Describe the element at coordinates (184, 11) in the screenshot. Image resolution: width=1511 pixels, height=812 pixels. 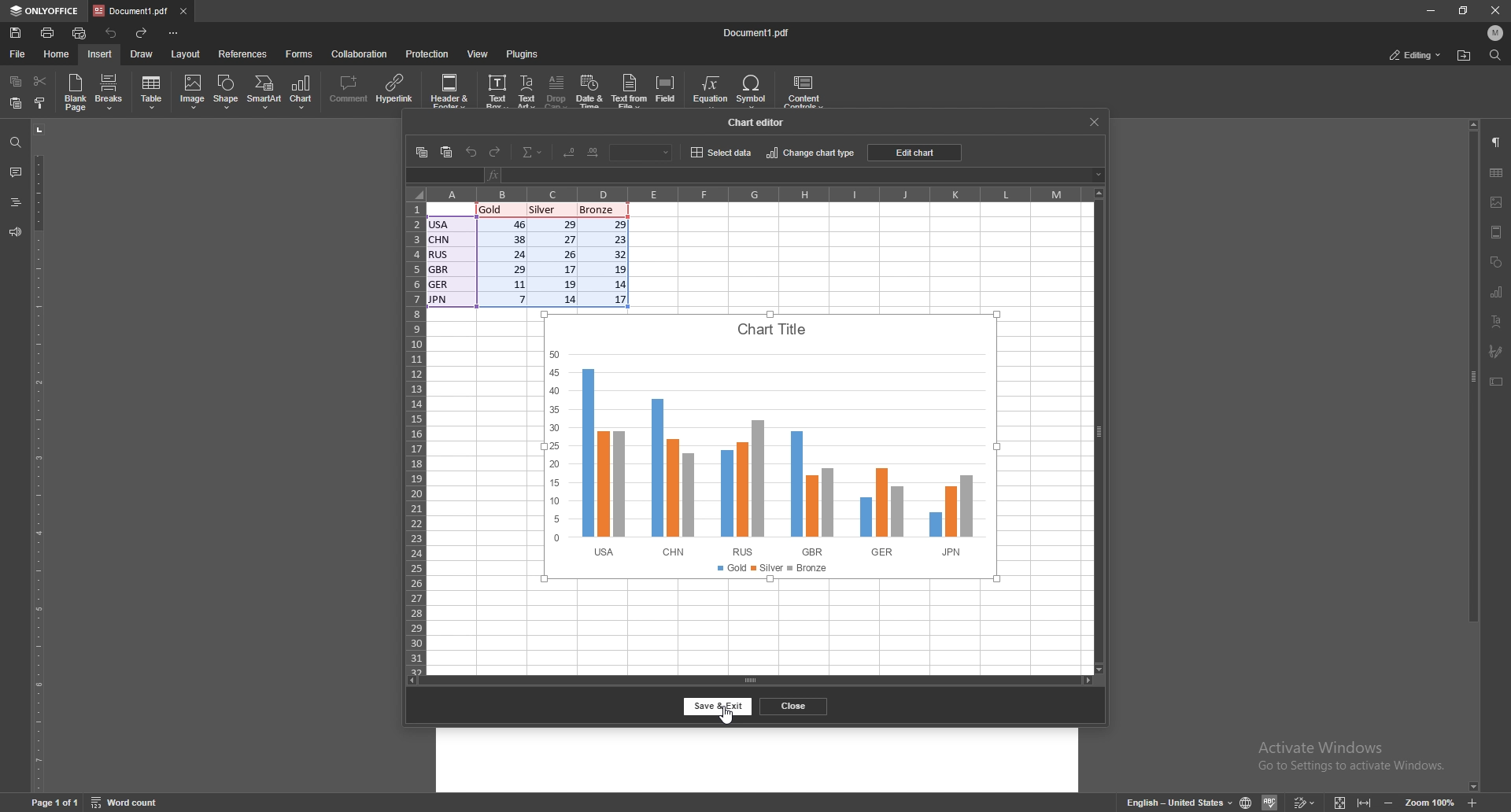
I see `close tab` at that location.